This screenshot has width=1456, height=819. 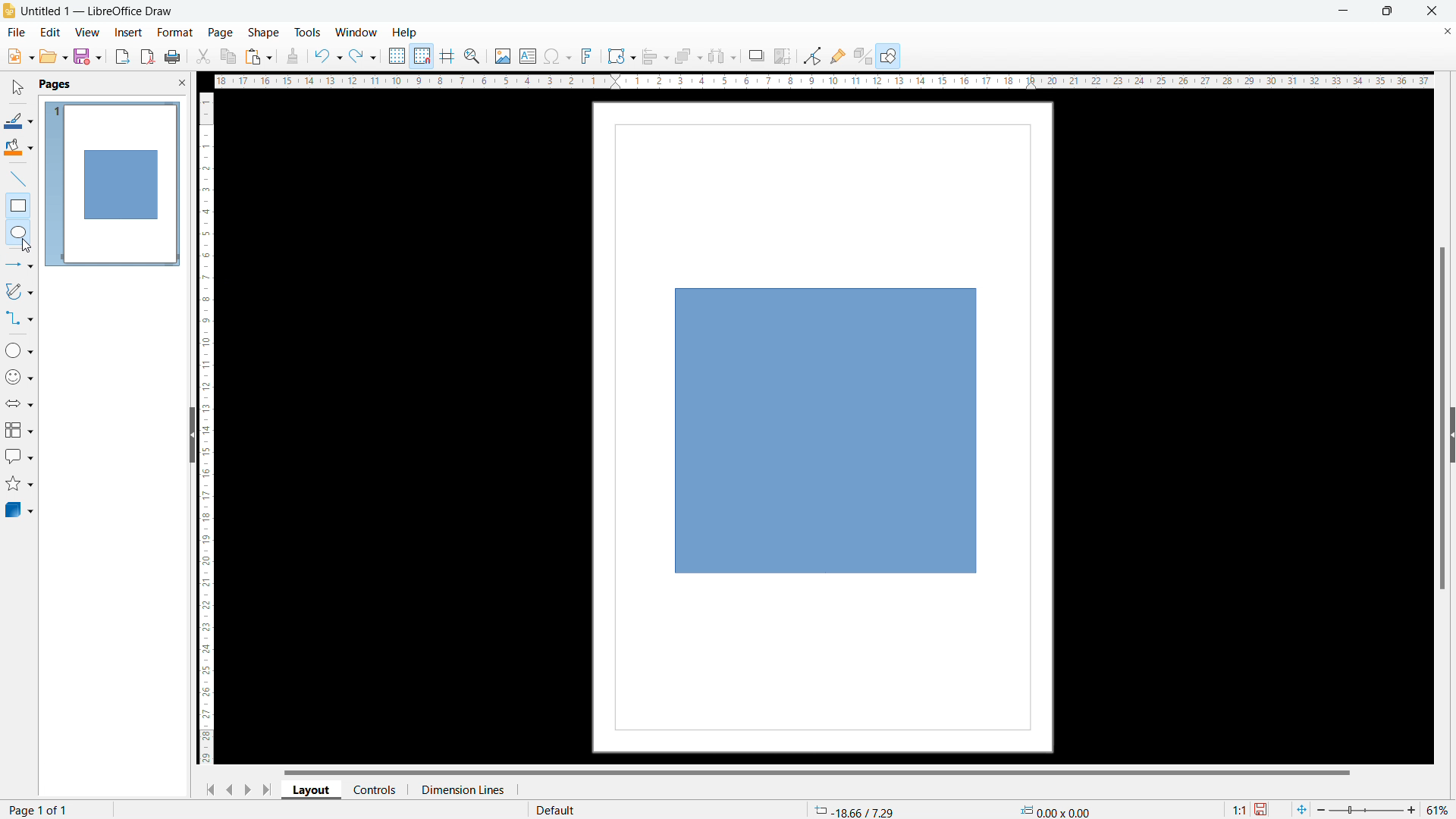 What do you see at coordinates (1451, 435) in the screenshot?
I see `expand pane` at bounding box center [1451, 435].